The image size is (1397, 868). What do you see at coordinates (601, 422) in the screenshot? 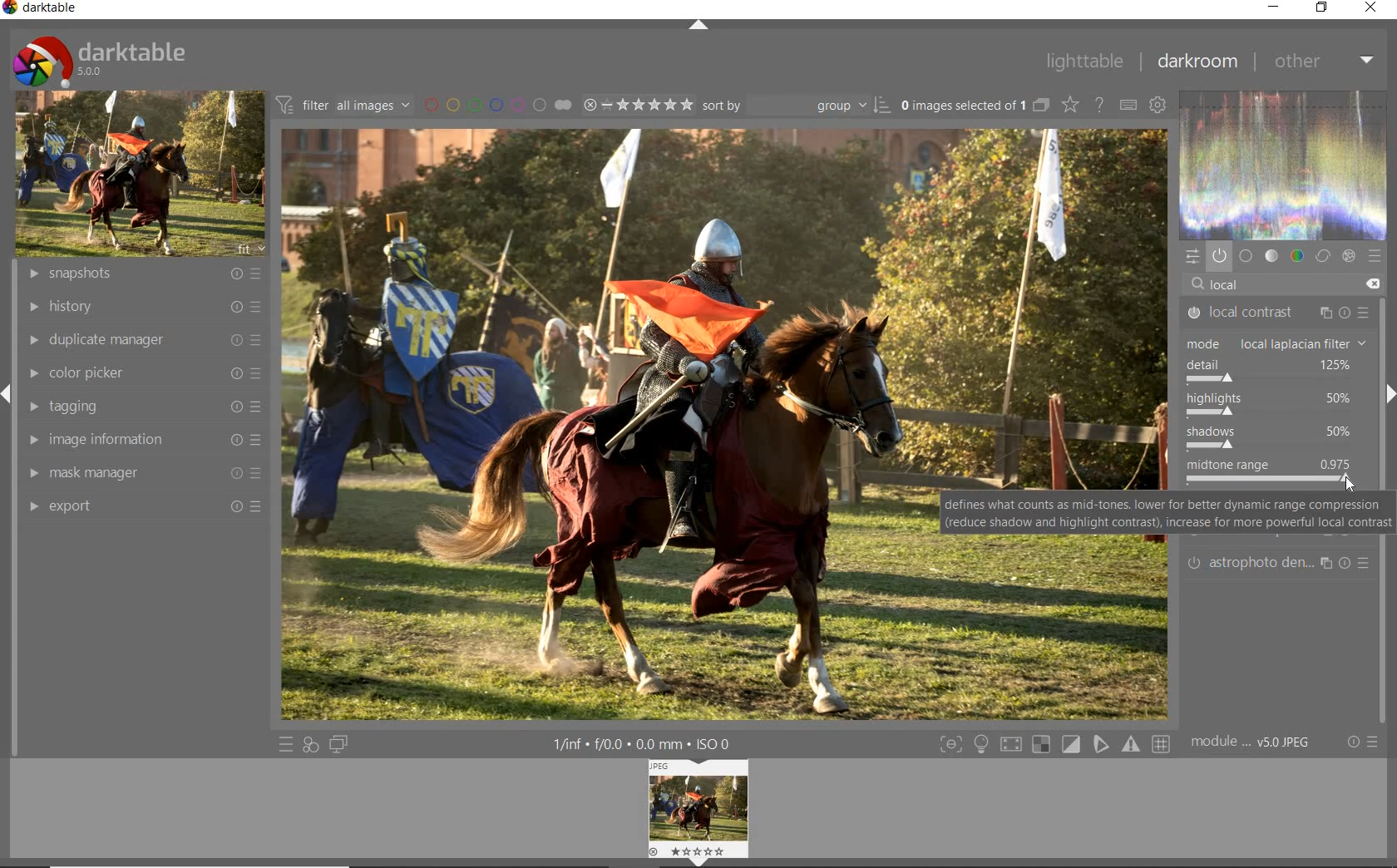
I see `selected image` at bounding box center [601, 422].